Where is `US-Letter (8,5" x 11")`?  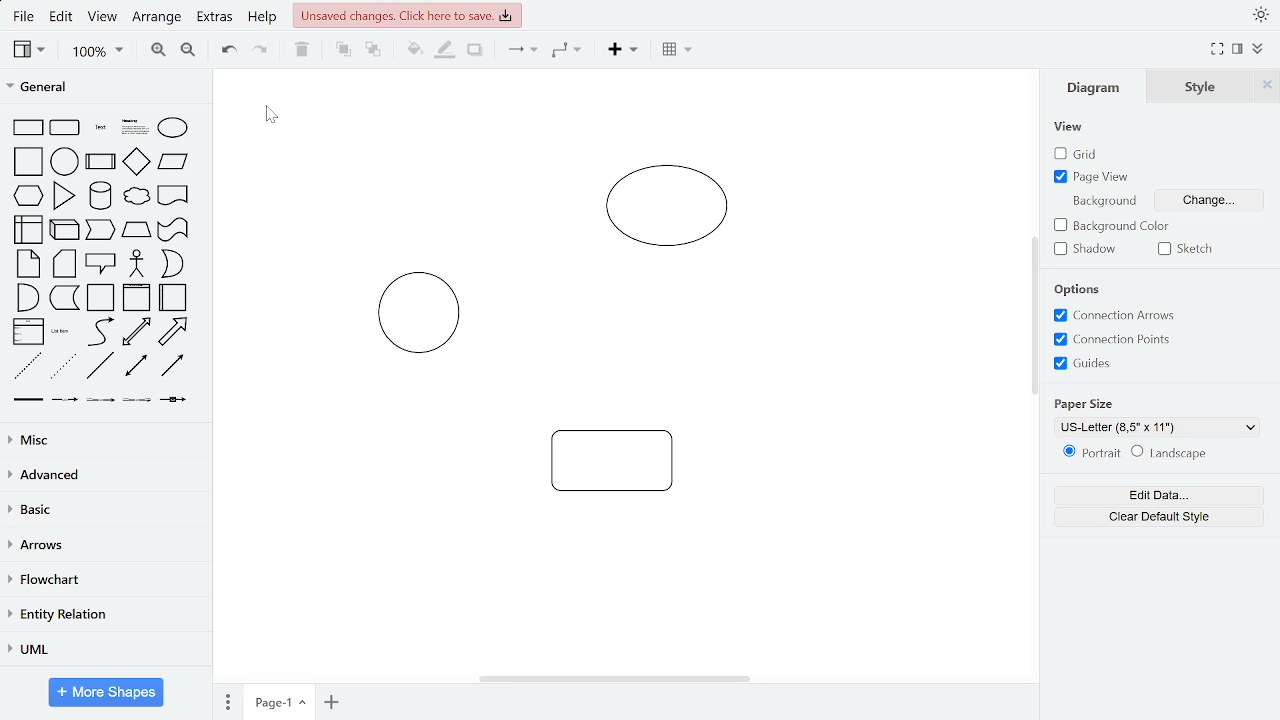
US-Letter (8,5" x 11") is located at coordinates (1160, 428).